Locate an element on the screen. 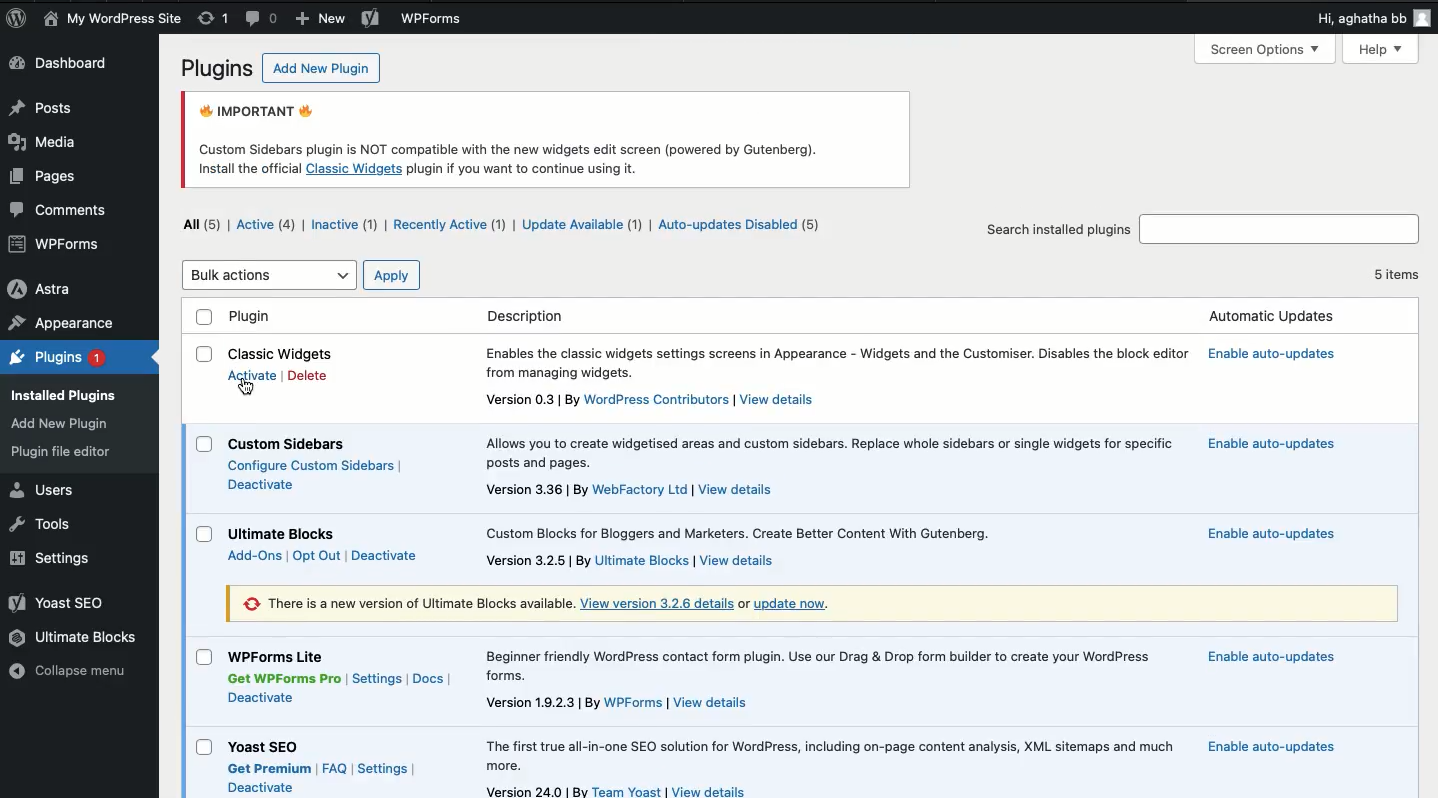  view details is located at coordinates (737, 558).